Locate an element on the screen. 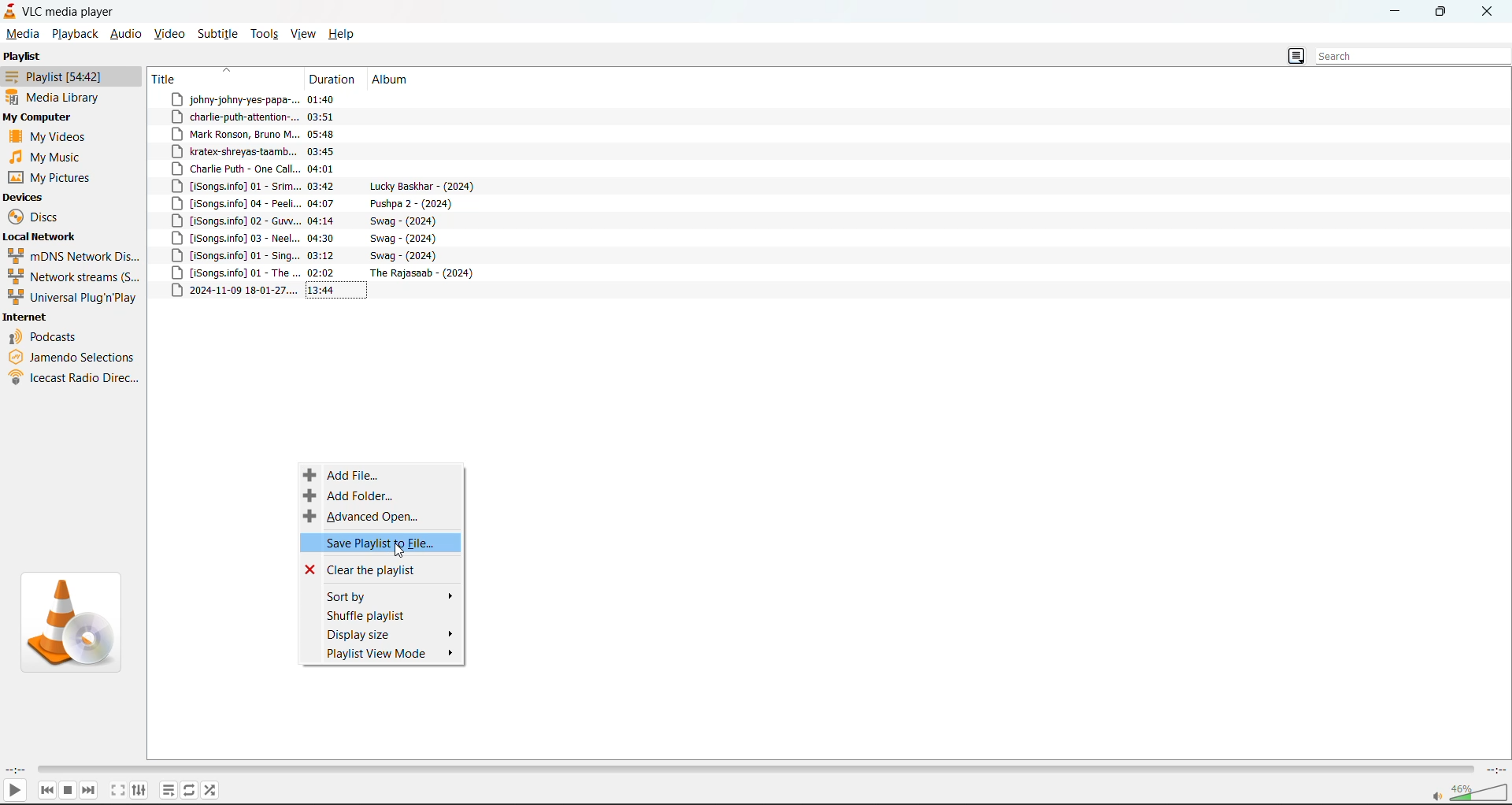 Image resolution: width=1512 pixels, height=805 pixels. volume is located at coordinates (1469, 793).